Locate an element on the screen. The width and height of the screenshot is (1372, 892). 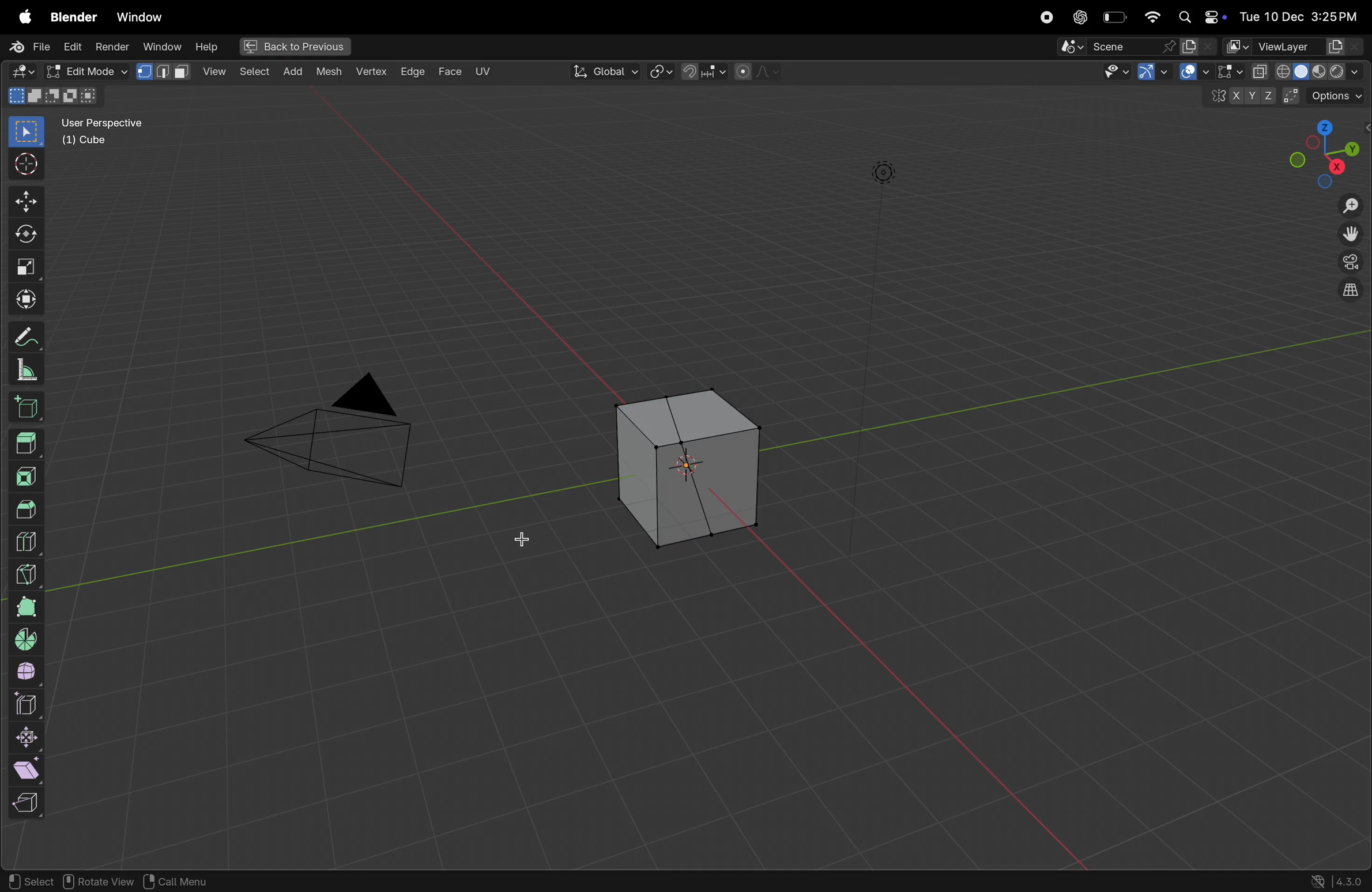
toggle camera is located at coordinates (1349, 263).